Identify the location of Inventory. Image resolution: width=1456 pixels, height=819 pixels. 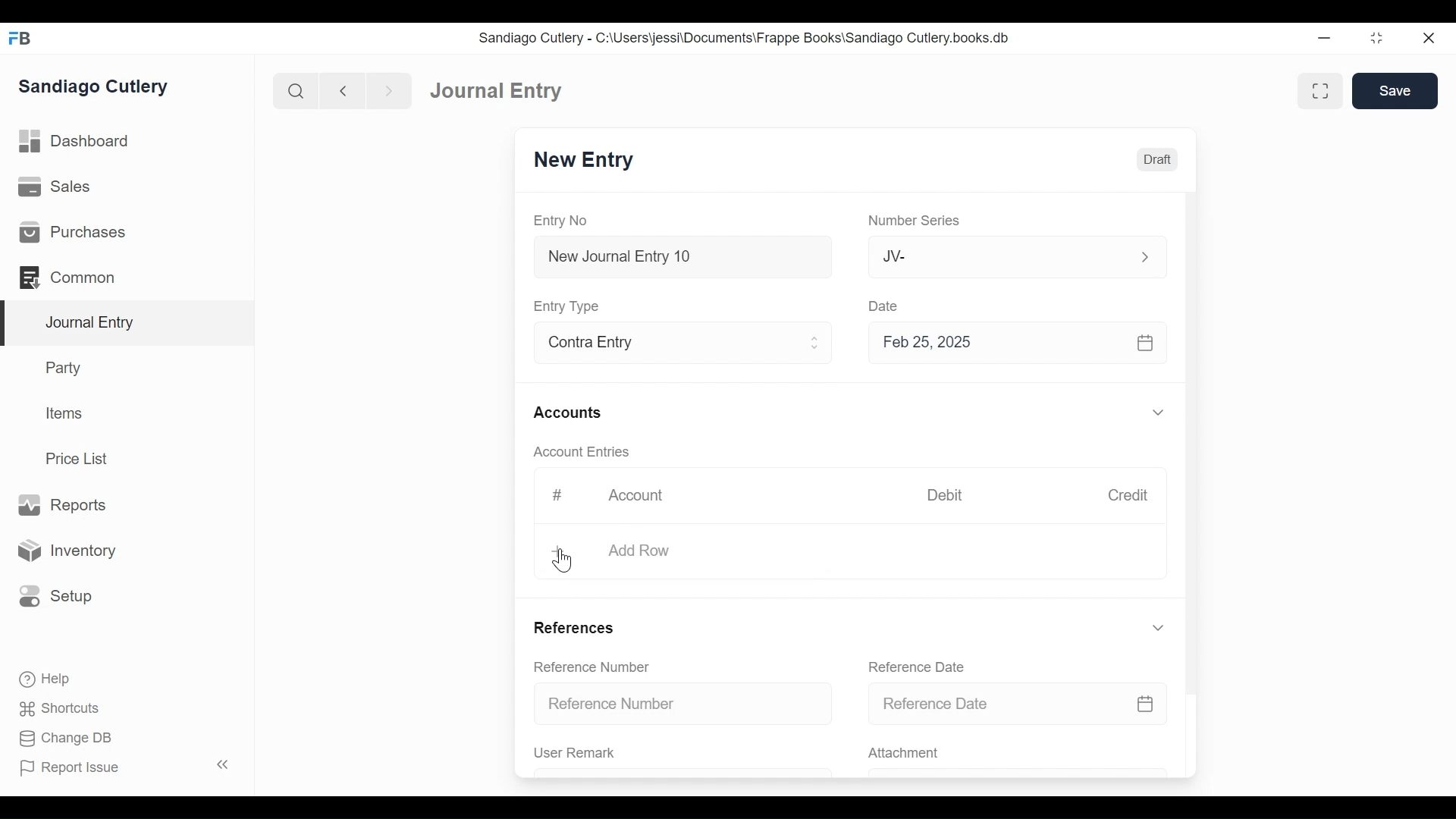
(71, 550).